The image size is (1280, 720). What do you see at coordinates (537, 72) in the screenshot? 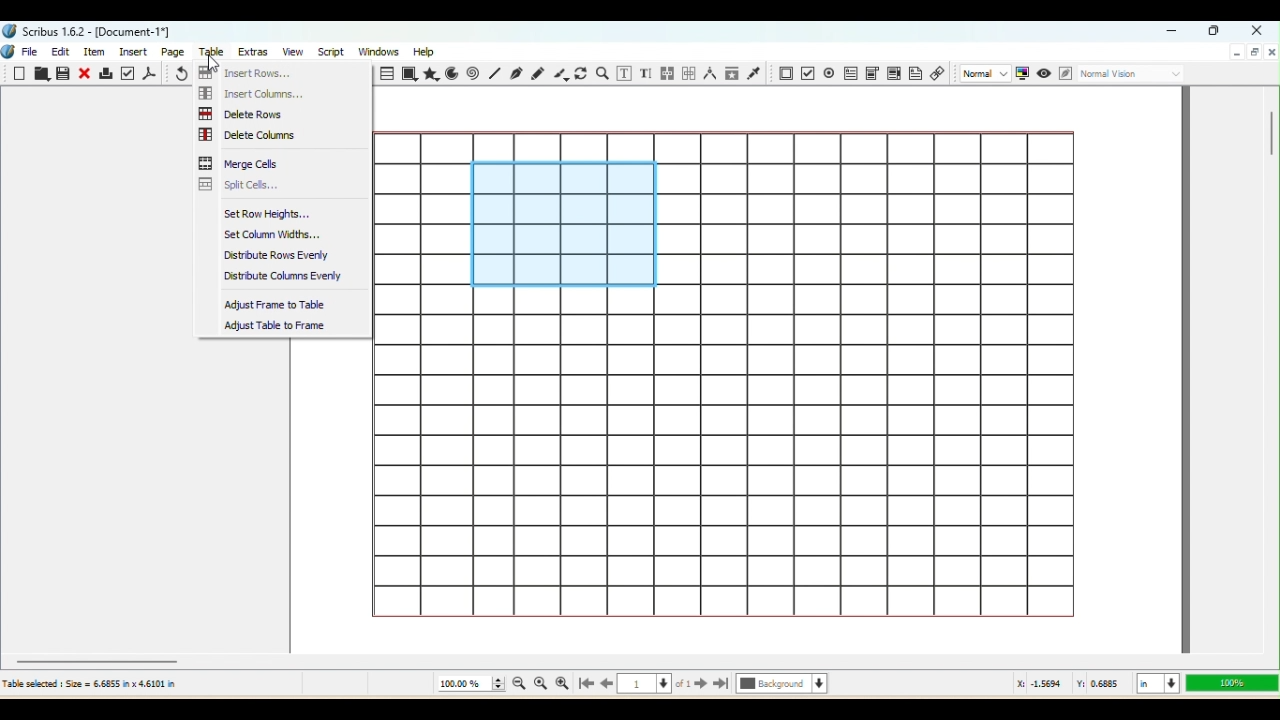
I see `Freehand line` at bounding box center [537, 72].